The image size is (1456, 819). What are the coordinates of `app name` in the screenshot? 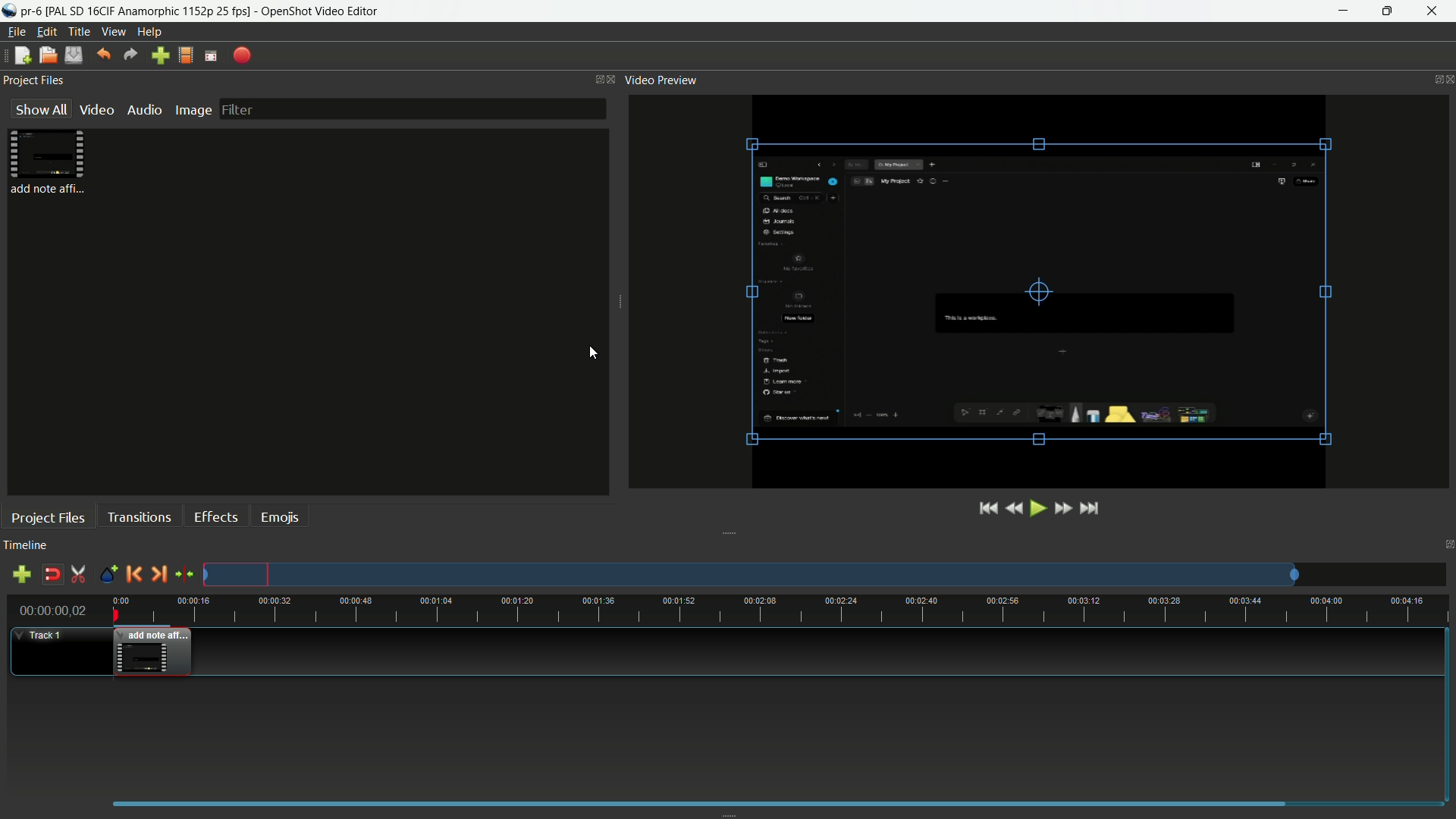 It's located at (322, 12).